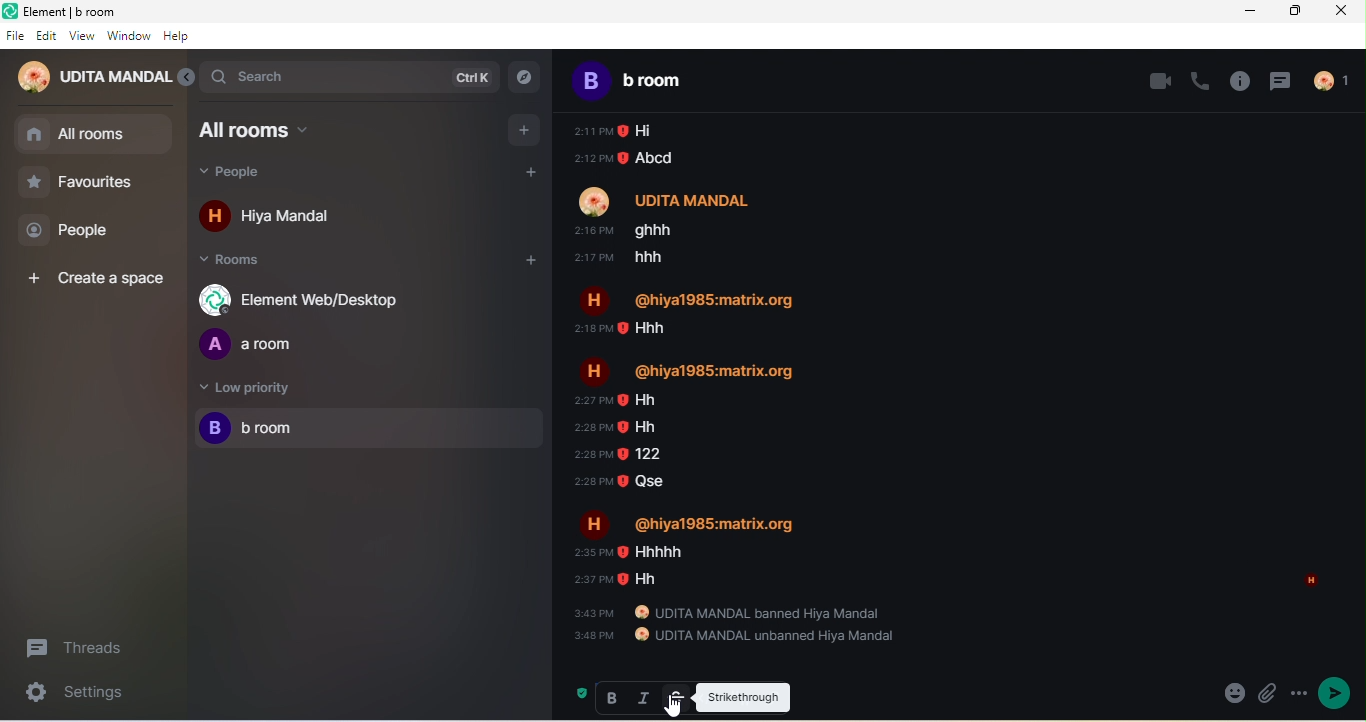 The width and height of the screenshot is (1366, 722). I want to click on send message, so click(1337, 694).